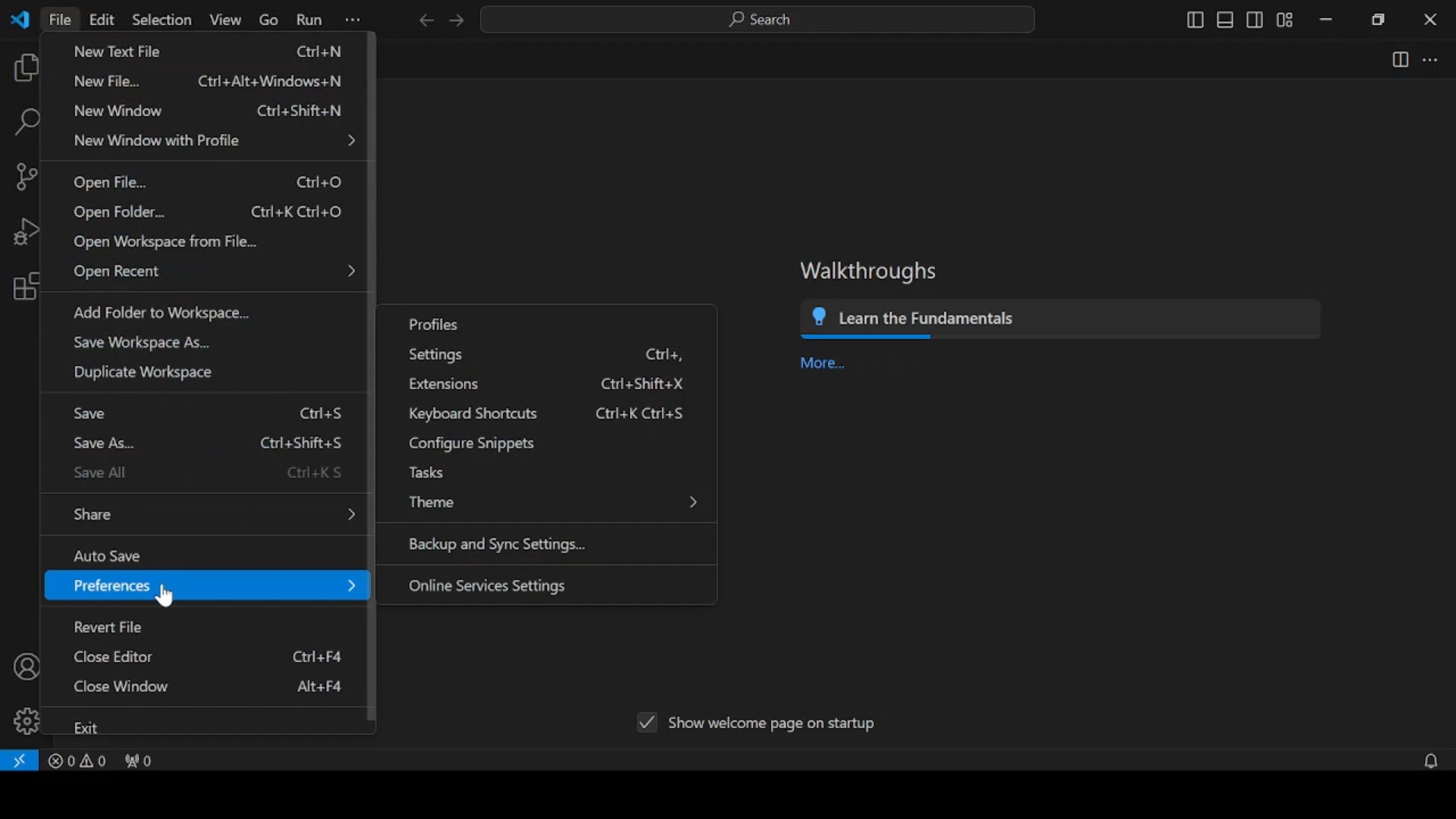  What do you see at coordinates (106, 81) in the screenshot?
I see `new file` at bounding box center [106, 81].